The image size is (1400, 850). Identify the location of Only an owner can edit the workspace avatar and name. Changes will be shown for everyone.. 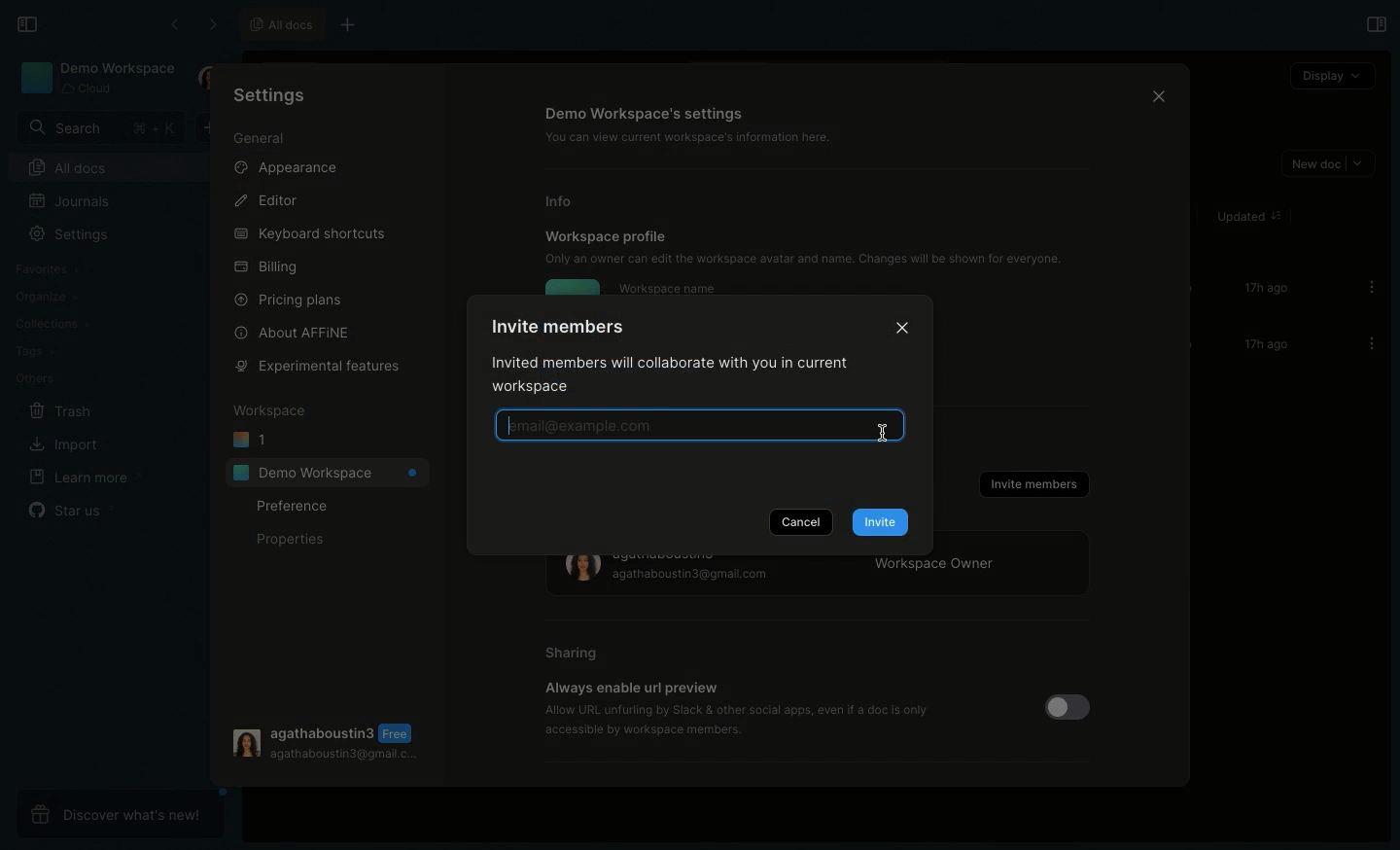
(814, 259).